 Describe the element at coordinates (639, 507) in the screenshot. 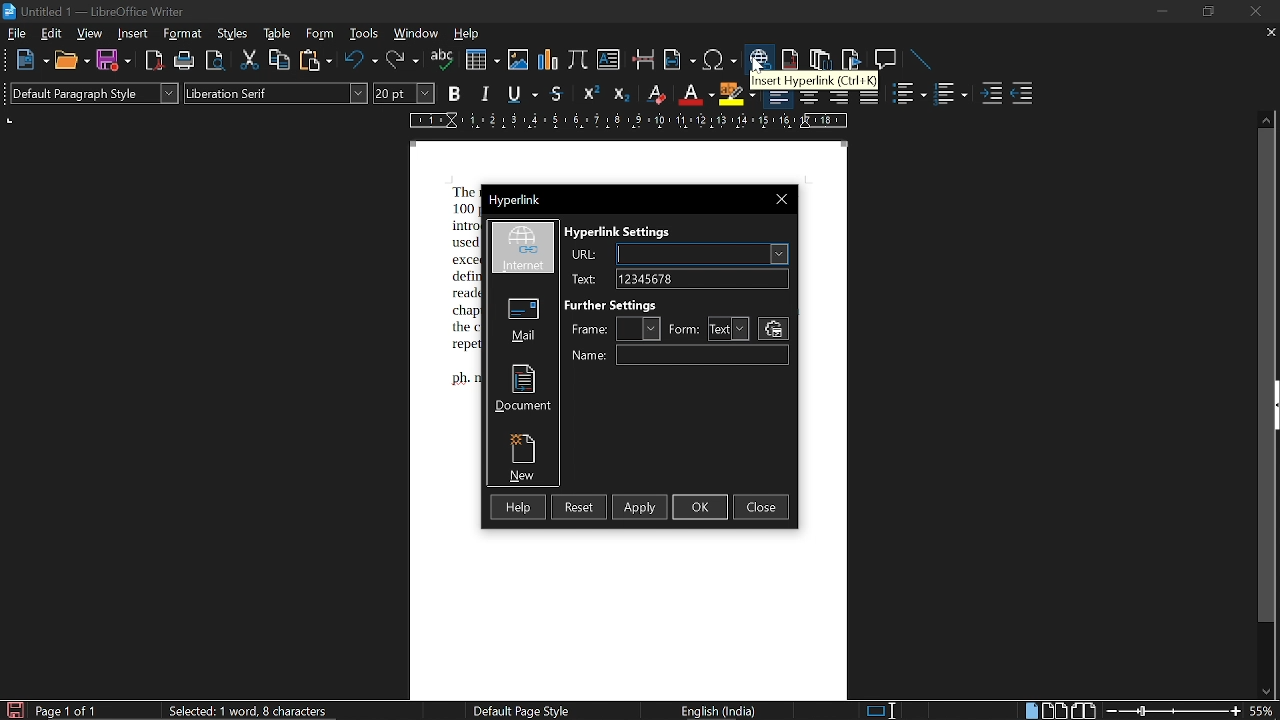

I see `apply` at that location.